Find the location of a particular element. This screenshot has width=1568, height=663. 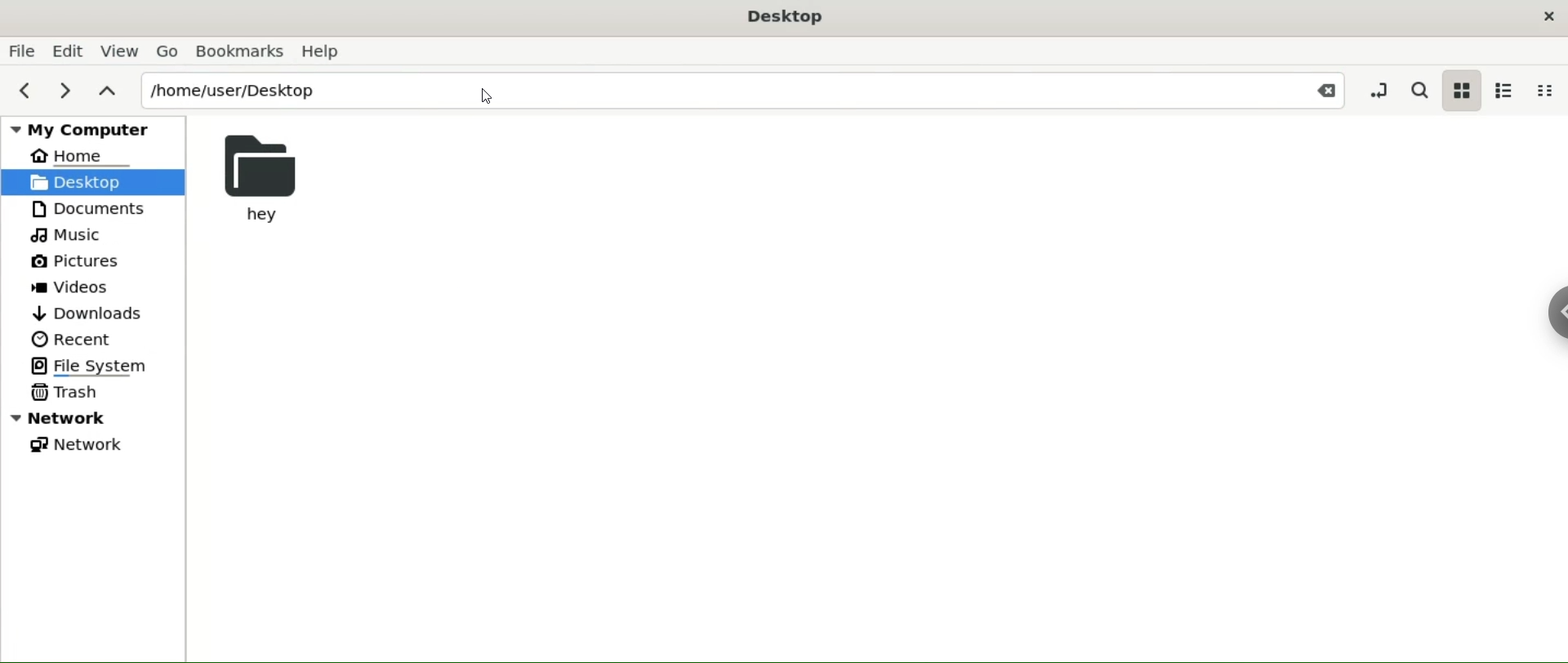

previous is located at coordinates (25, 92).